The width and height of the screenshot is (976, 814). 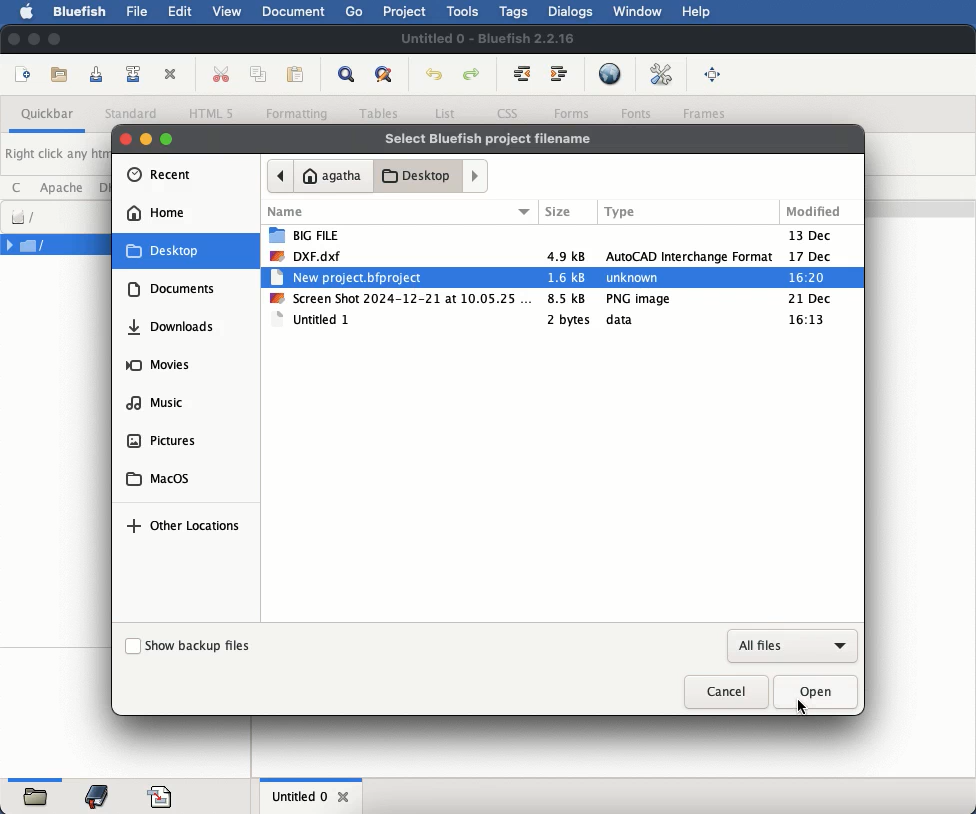 I want to click on forward, so click(x=477, y=177).